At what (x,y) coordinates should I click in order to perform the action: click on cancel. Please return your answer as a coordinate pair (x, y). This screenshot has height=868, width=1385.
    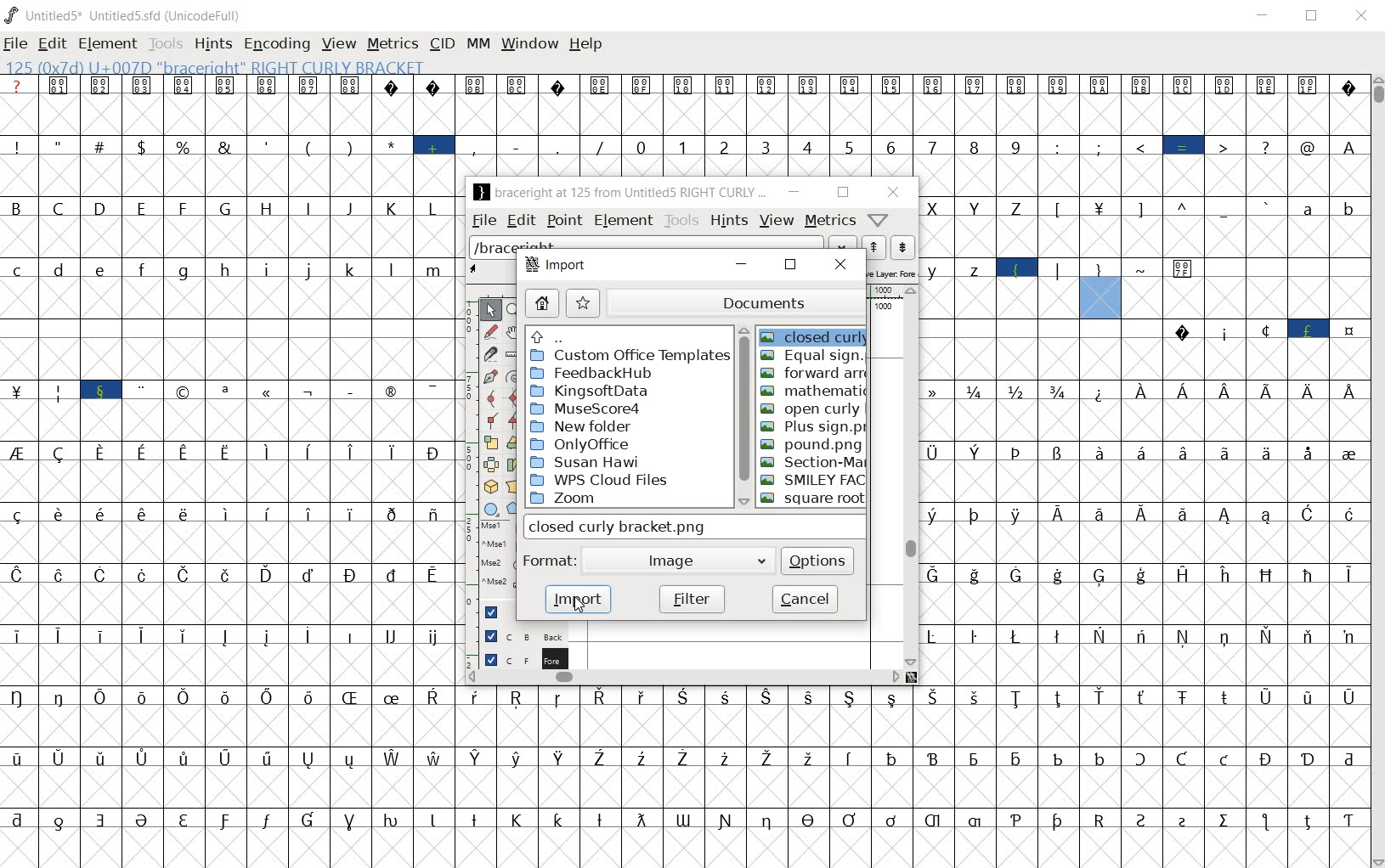
    Looking at the image, I should click on (806, 600).